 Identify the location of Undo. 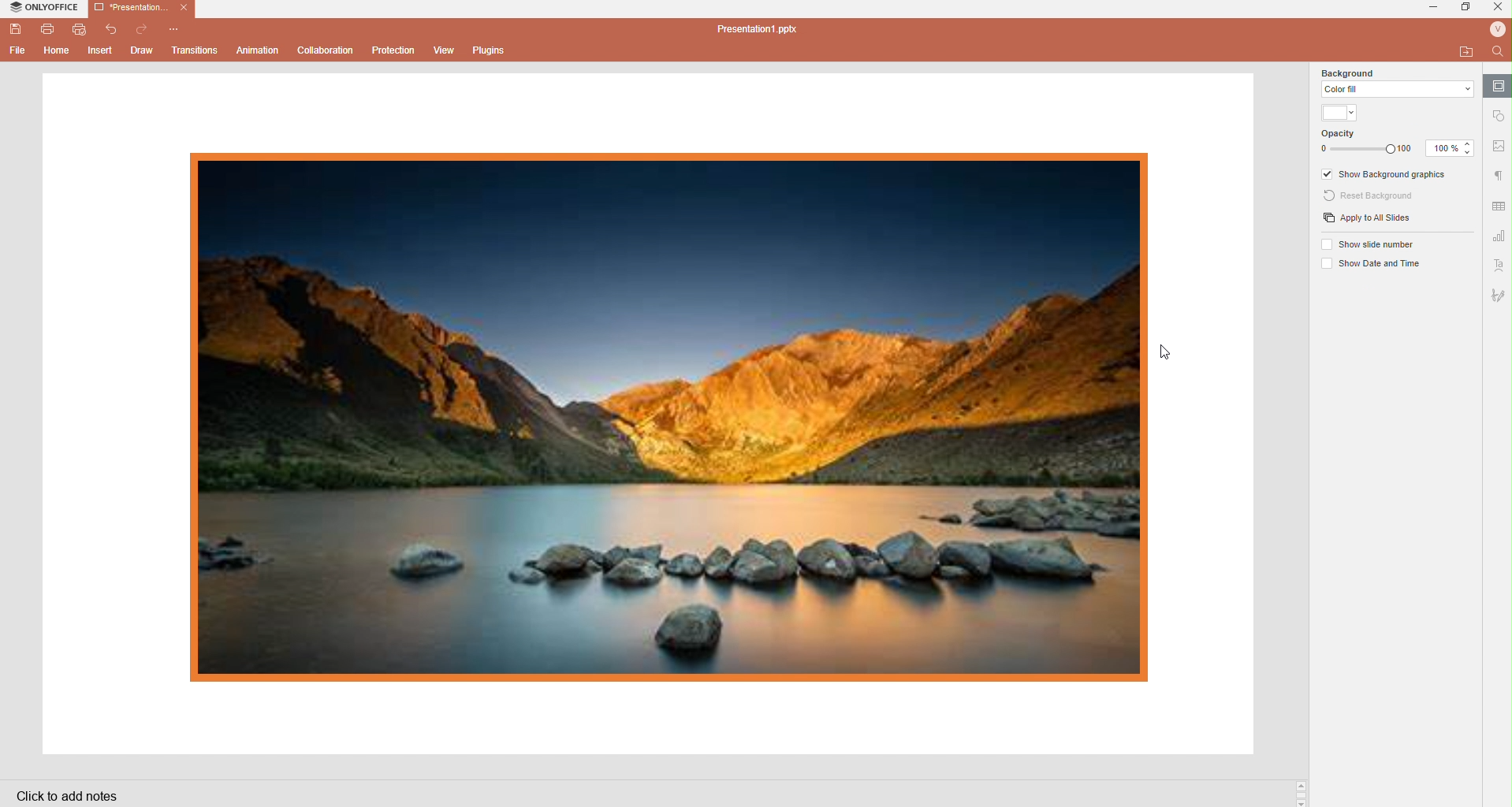
(115, 29).